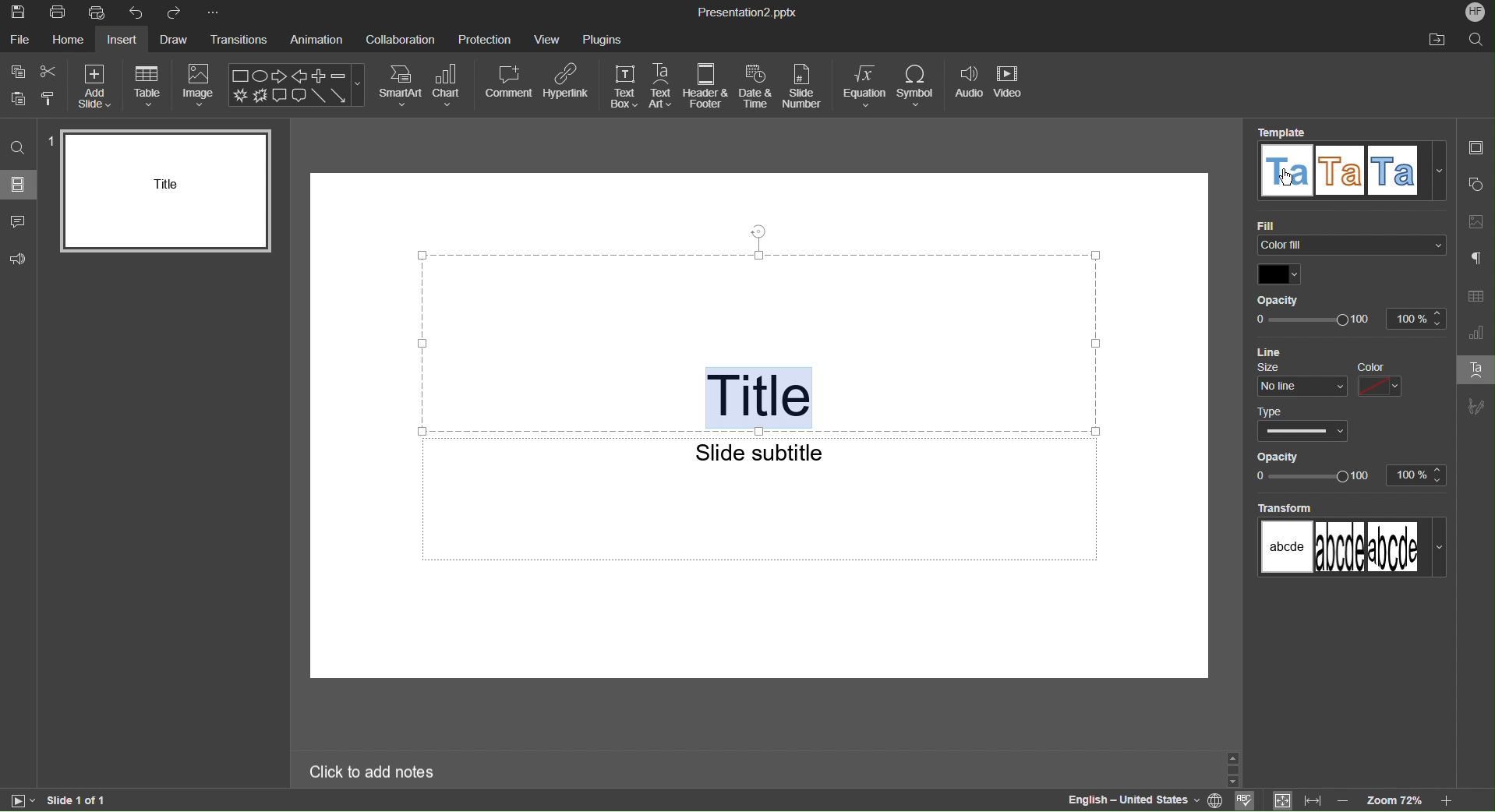 Image resolution: width=1495 pixels, height=812 pixels. I want to click on Opacity, so click(1351, 469).